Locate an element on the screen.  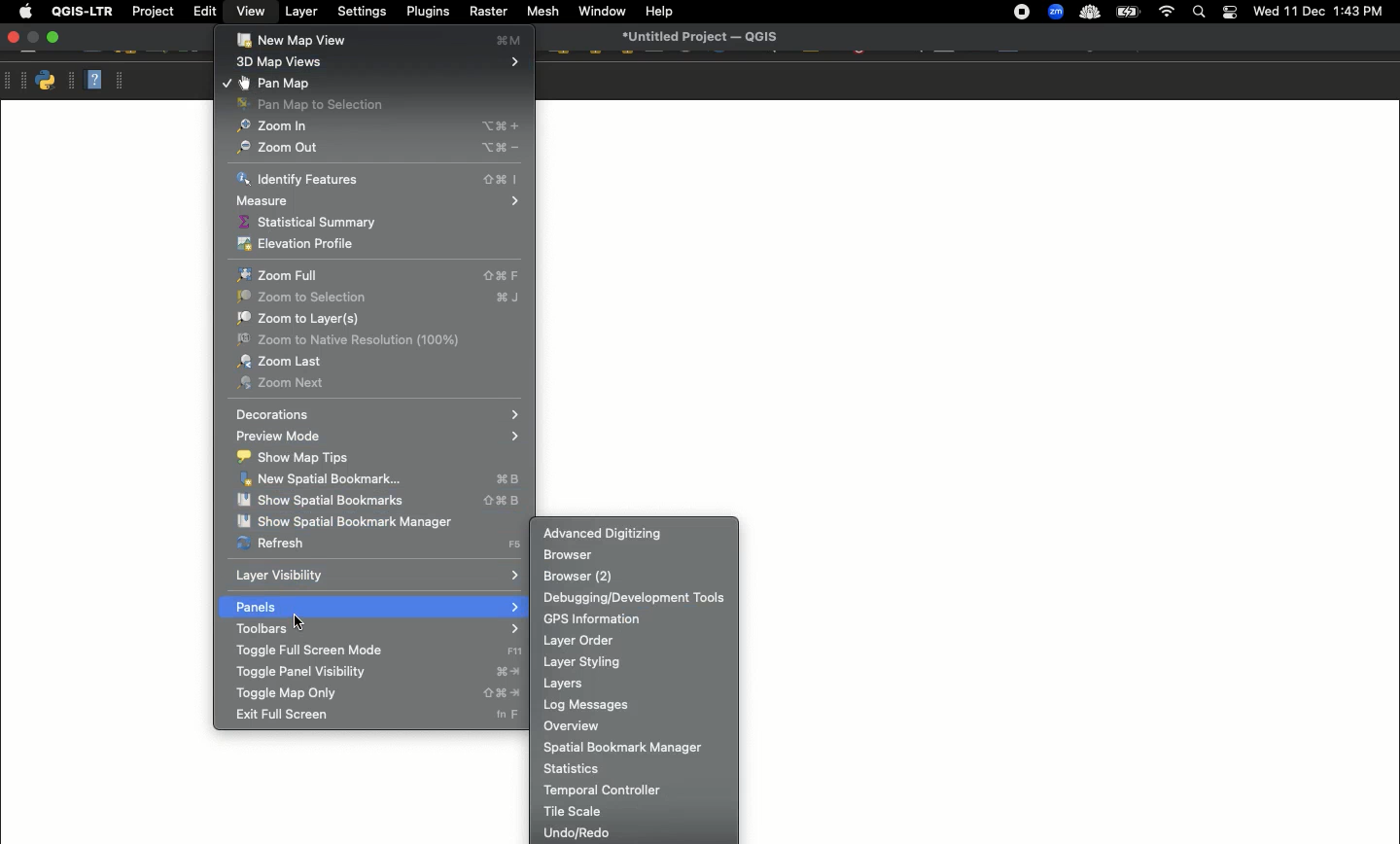
Project is located at coordinates (153, 13).